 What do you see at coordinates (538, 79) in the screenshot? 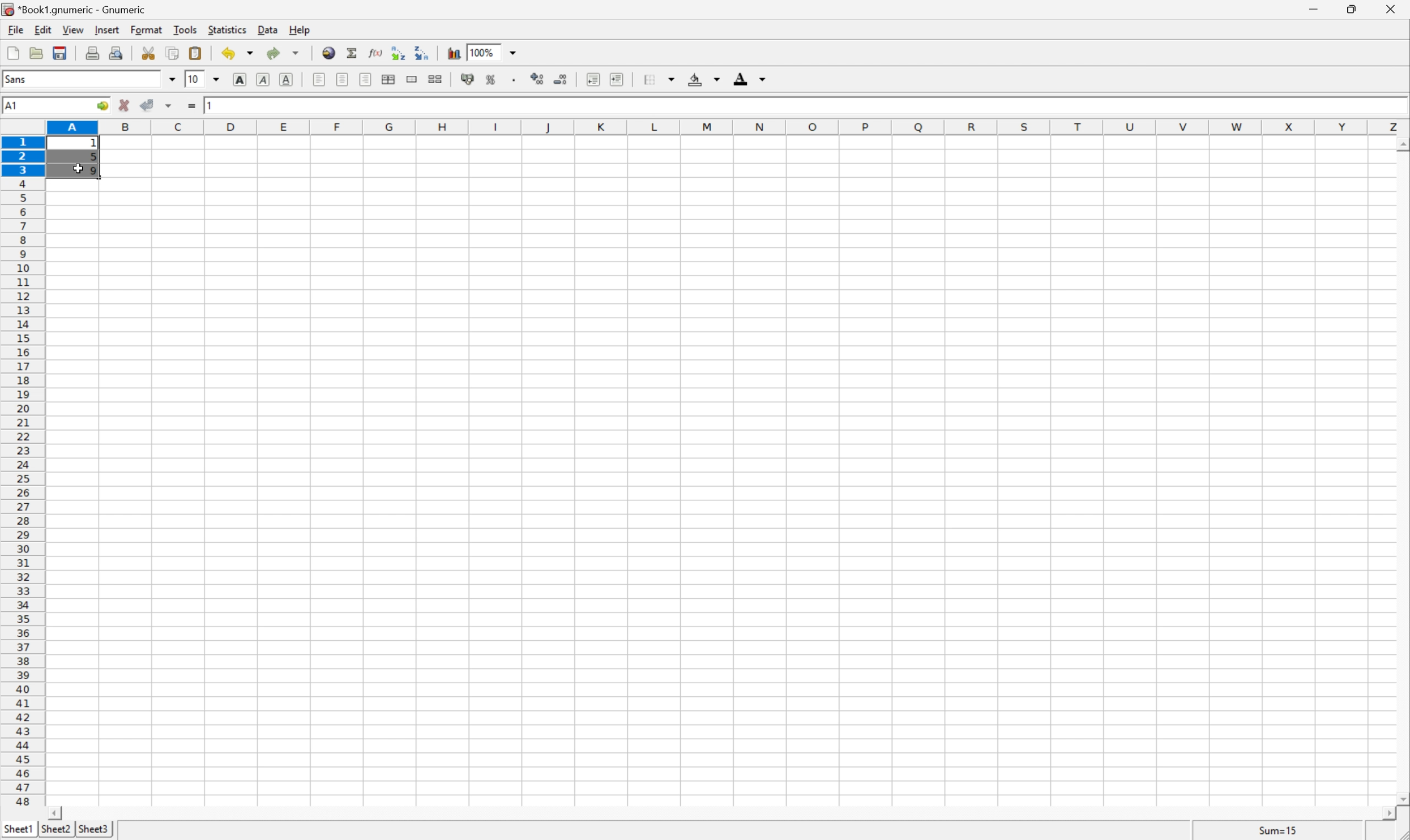
I see `increase number of decimals` at bounding box center [538, 79].